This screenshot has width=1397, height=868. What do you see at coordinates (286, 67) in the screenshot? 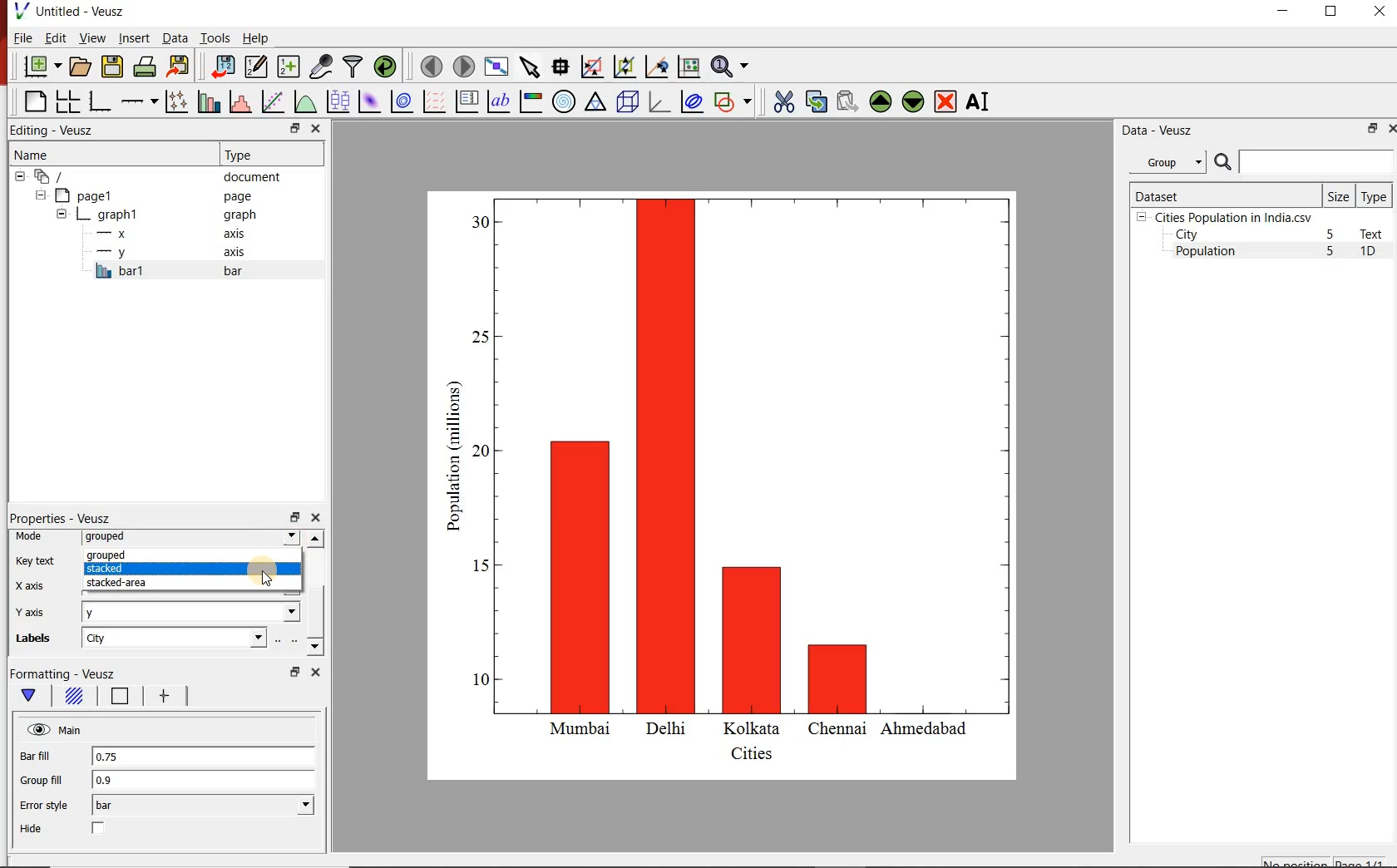
I see `create new datasets using available options` at bounding box center [286, 67].